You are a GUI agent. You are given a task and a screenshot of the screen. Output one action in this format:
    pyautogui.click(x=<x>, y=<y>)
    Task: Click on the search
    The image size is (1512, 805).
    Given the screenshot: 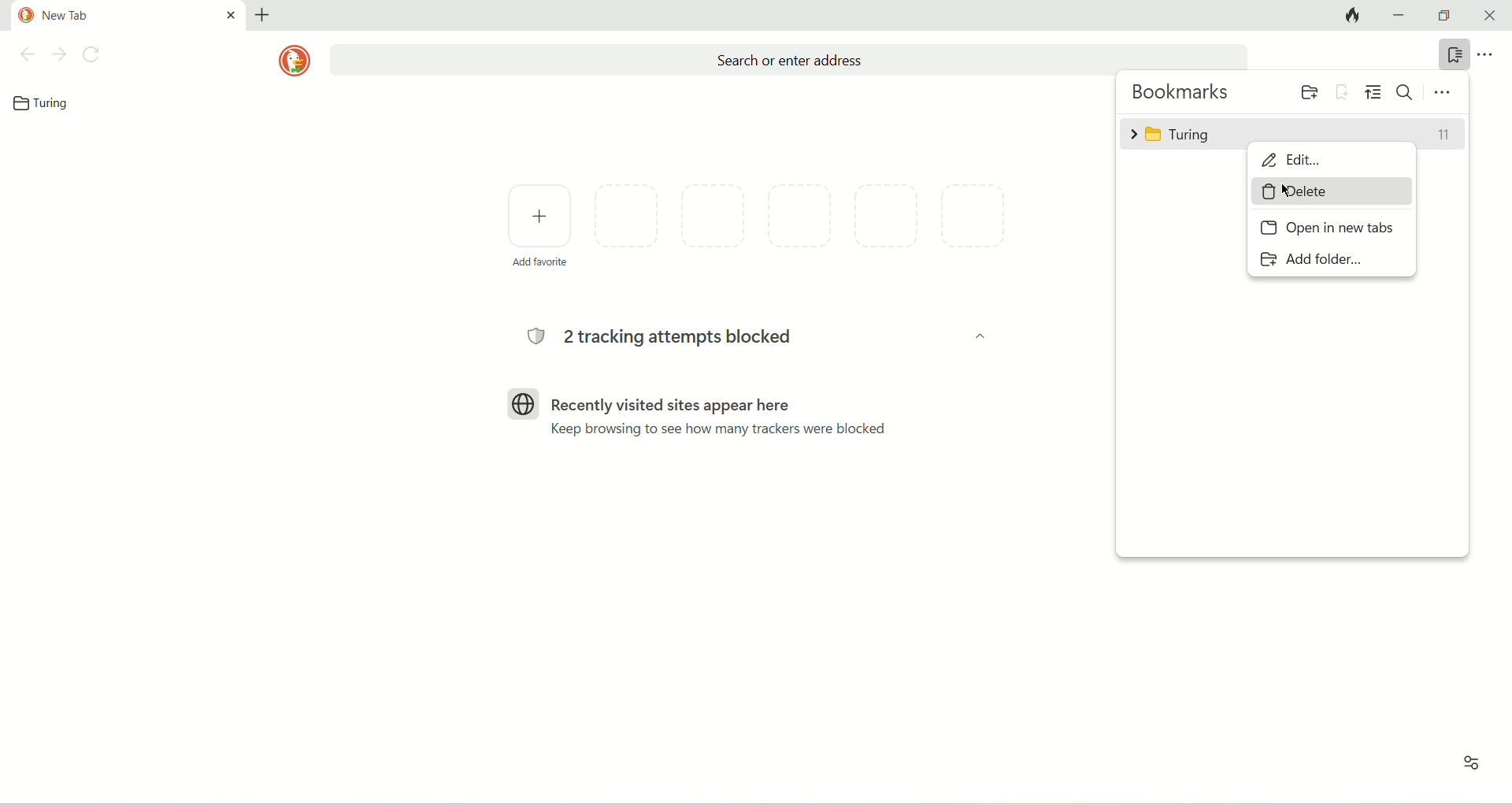 What is the action you would take?
    pyautogui.click(x=1406, y=91)
    